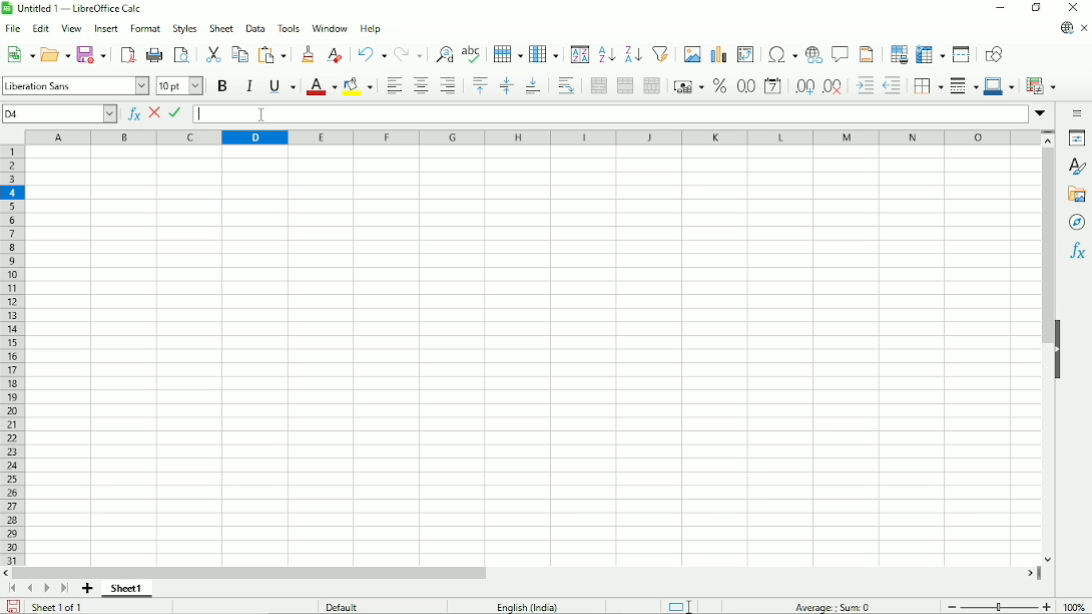 The height and width of the screenshot is (614, 1092). What do you see at coordinates (146, 28) in the screenshot?
I see `Format` at bounding box center [146, 28].